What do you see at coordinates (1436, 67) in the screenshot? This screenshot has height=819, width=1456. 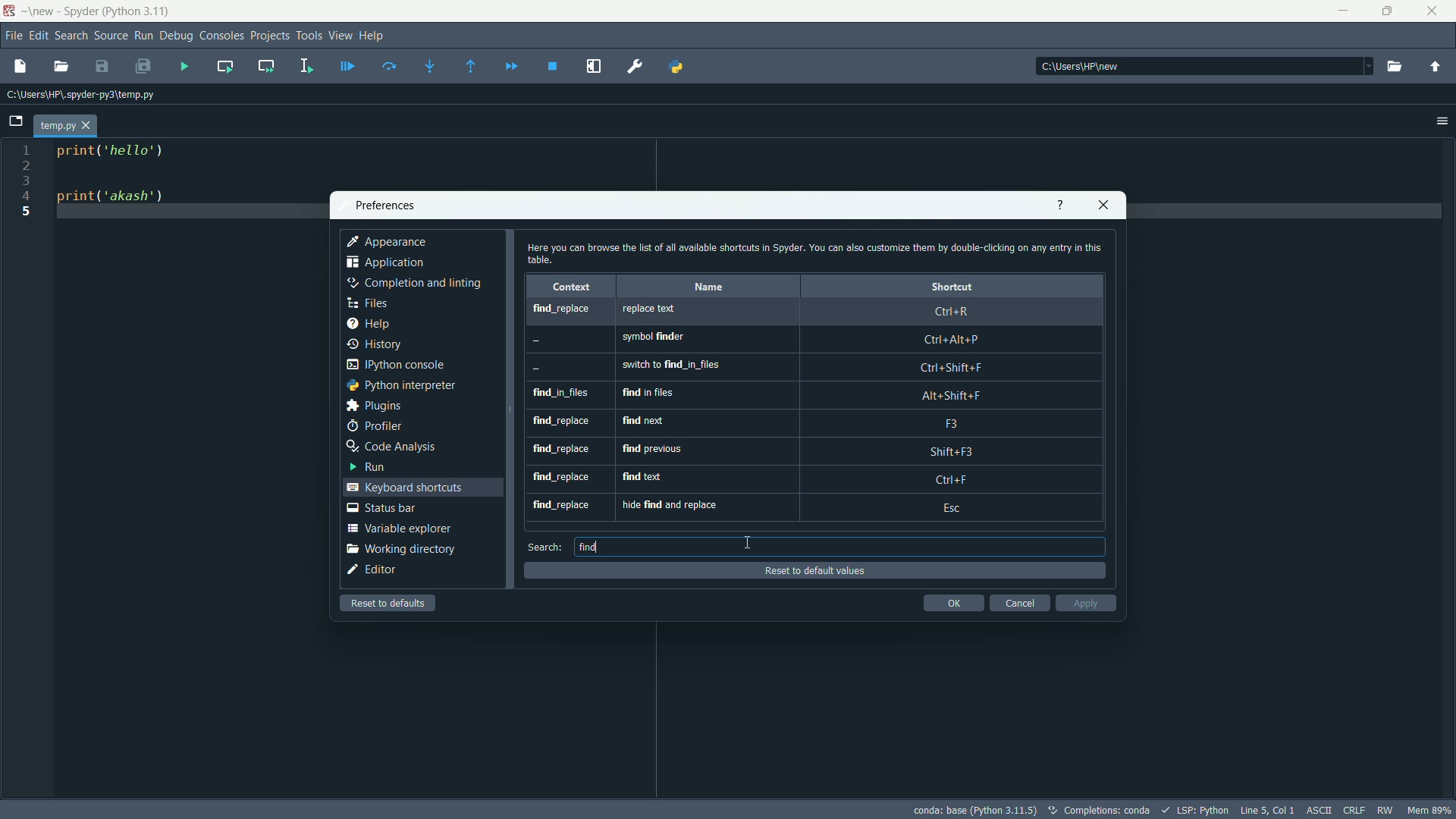 I see `parent directory` at bounding box center [1436, 67].